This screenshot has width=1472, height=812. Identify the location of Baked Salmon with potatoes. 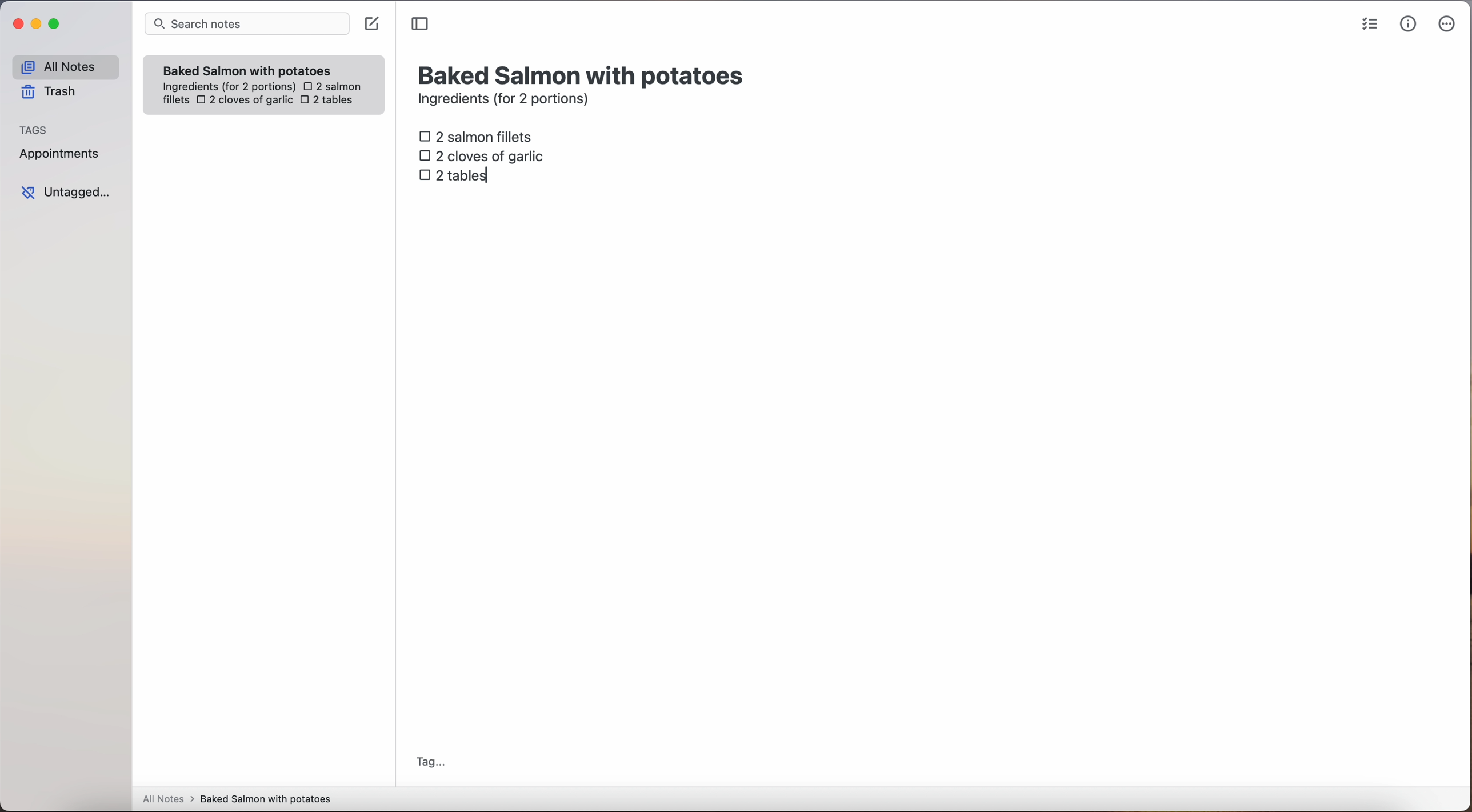
(247, 68).